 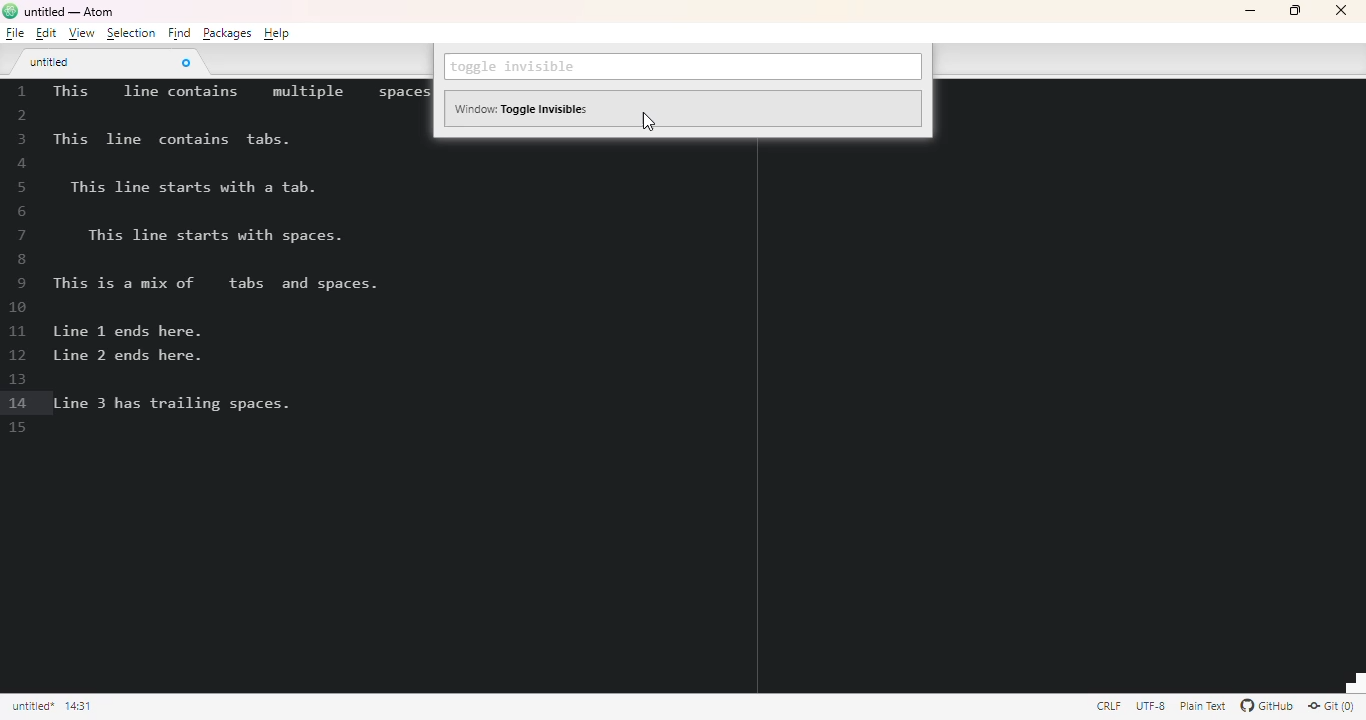 I want to click on line 14, column 31, so click(x=78, y=707).